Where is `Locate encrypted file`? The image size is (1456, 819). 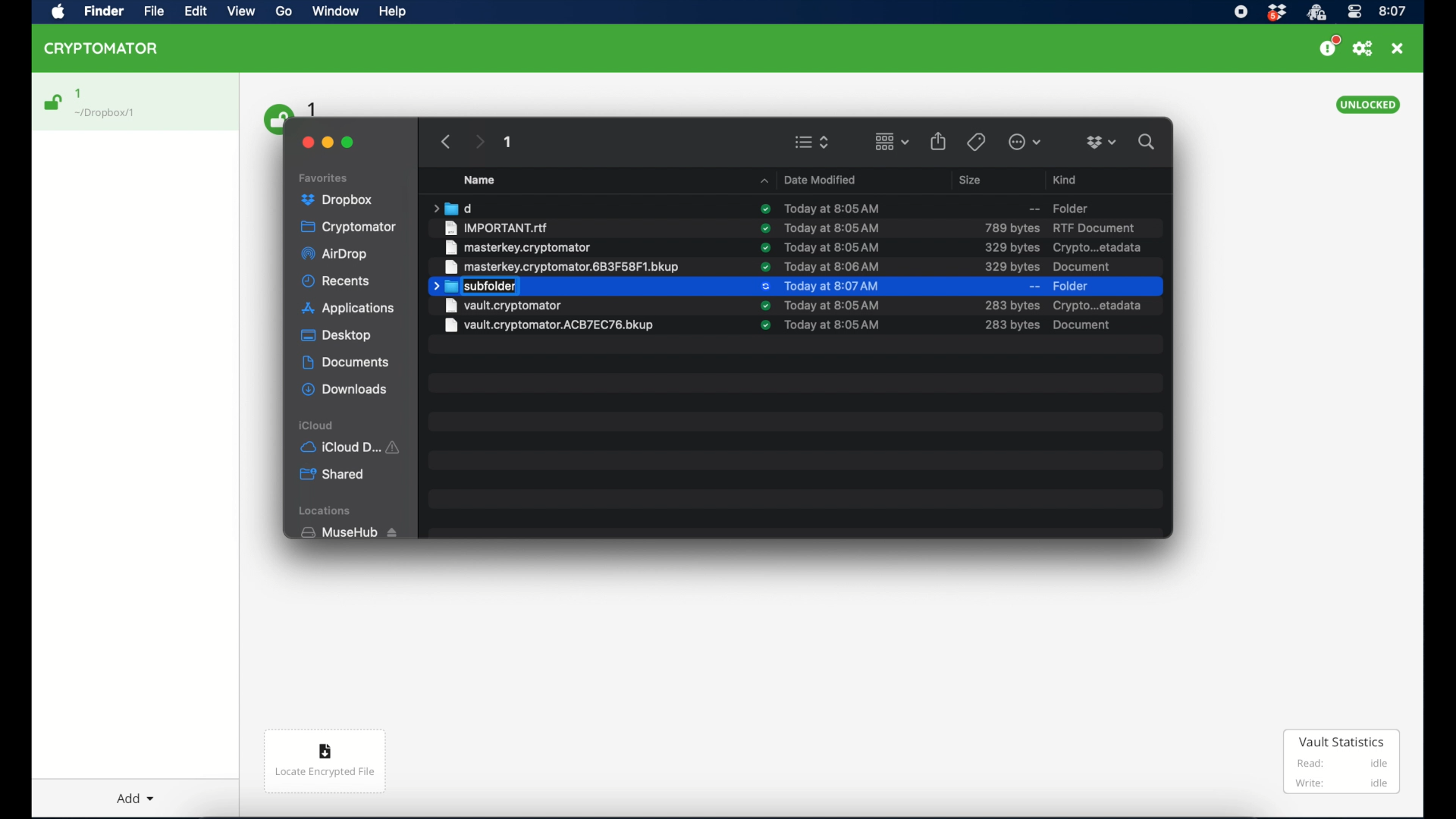 Locate encrypted file is located at coordinates (326, 764).